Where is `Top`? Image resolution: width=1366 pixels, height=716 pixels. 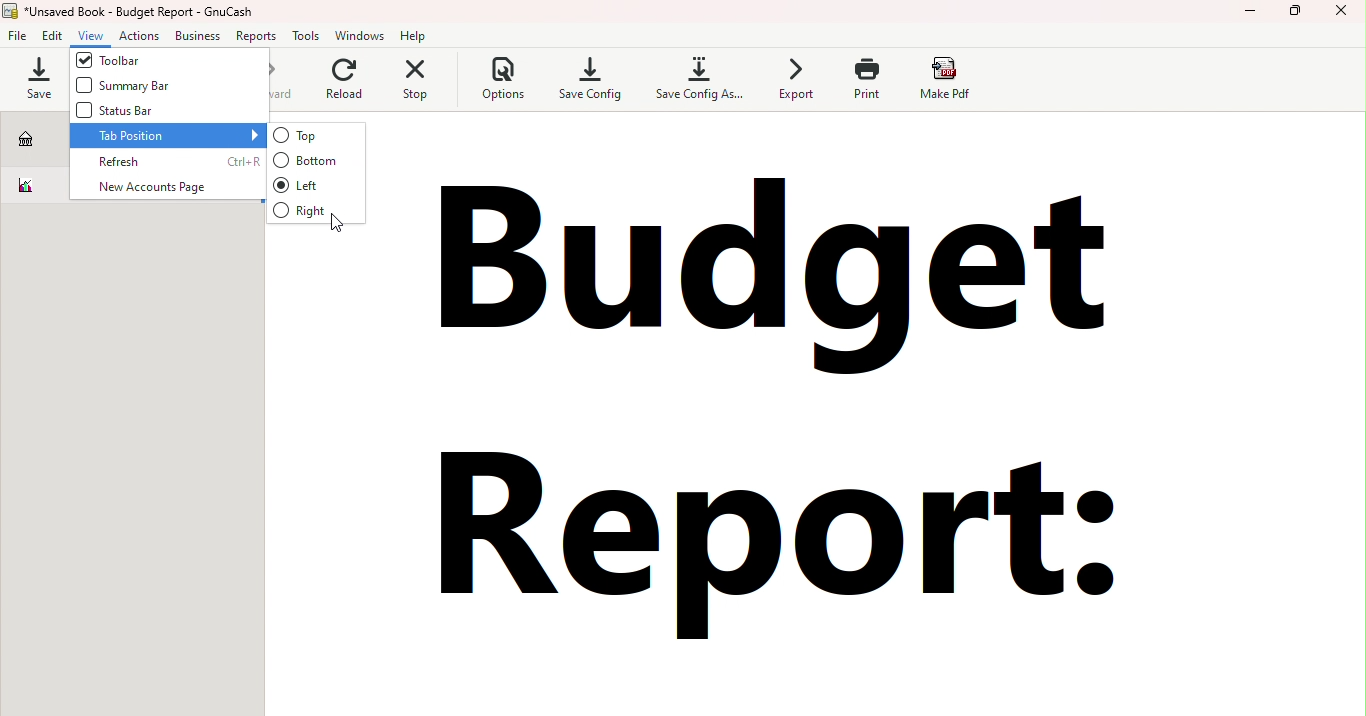 Top is located at coordinates (313, 135).